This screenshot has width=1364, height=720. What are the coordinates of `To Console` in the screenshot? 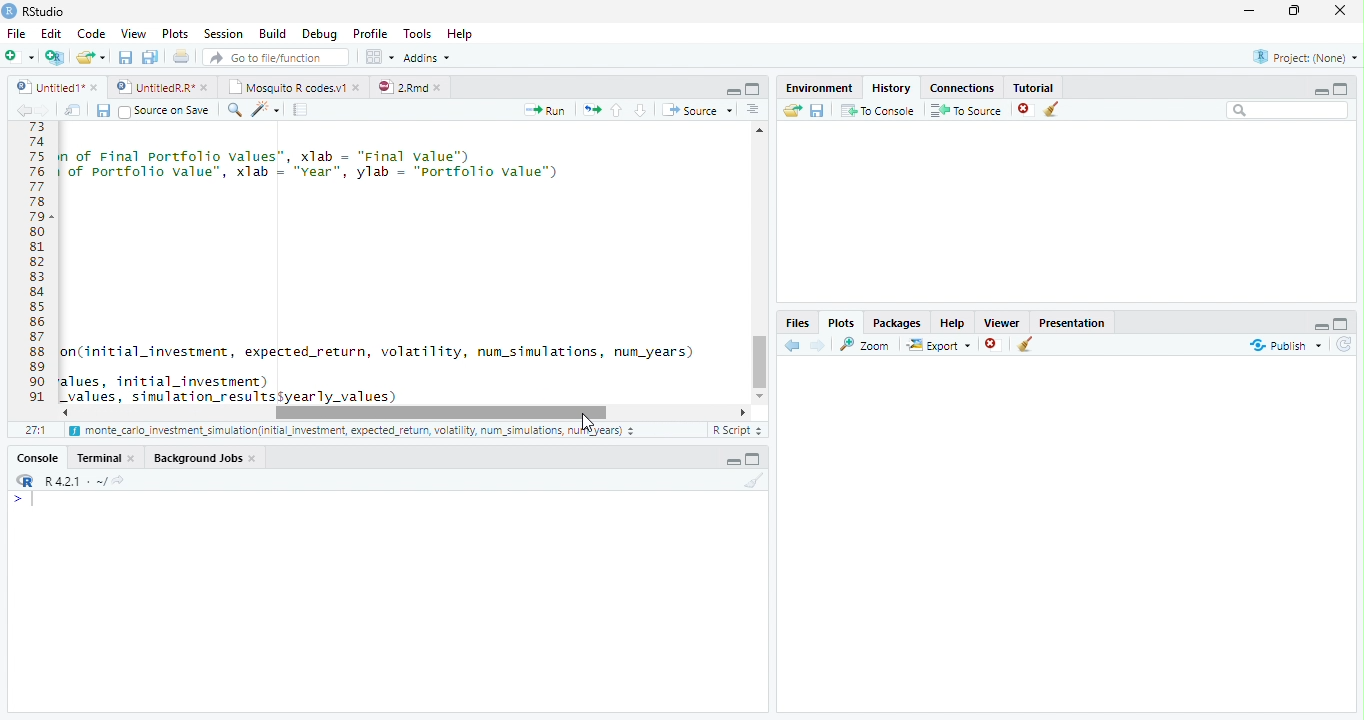 It's located at (877, 110).